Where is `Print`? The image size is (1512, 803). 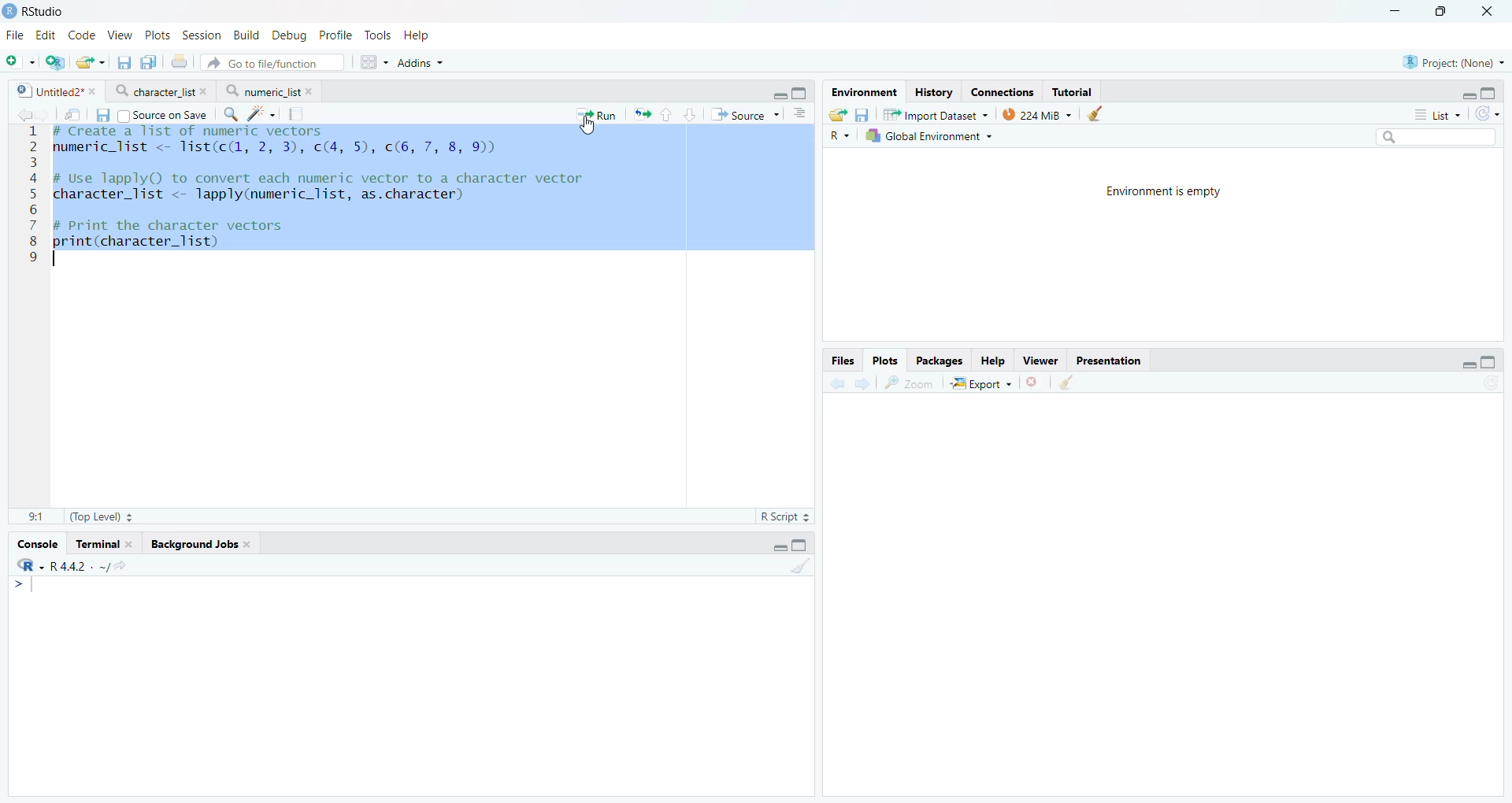
Print is located at coordinates (179, 61).